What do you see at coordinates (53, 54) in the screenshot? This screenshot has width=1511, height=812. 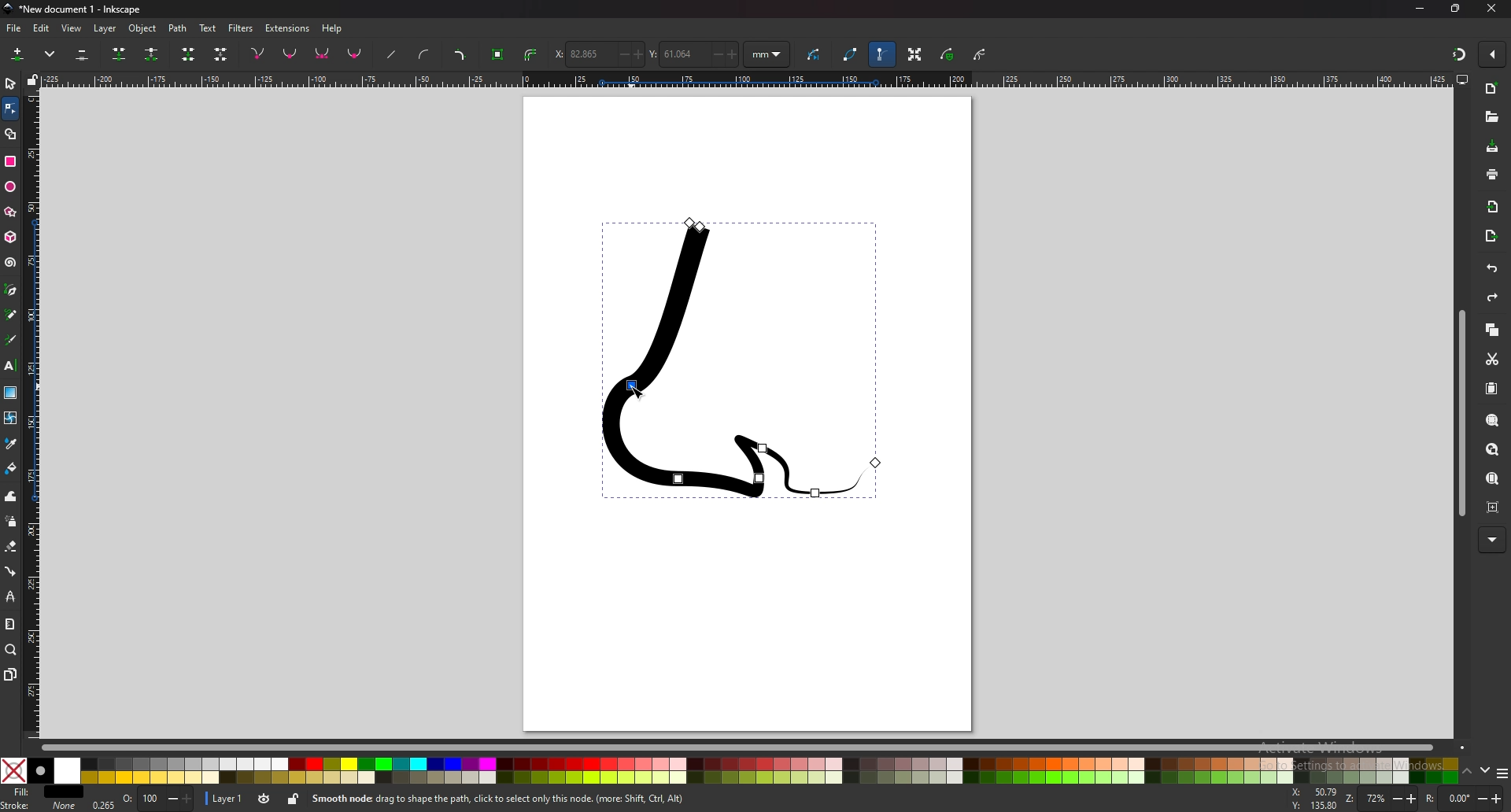 I see `more options` at bounding box center [53, 54].